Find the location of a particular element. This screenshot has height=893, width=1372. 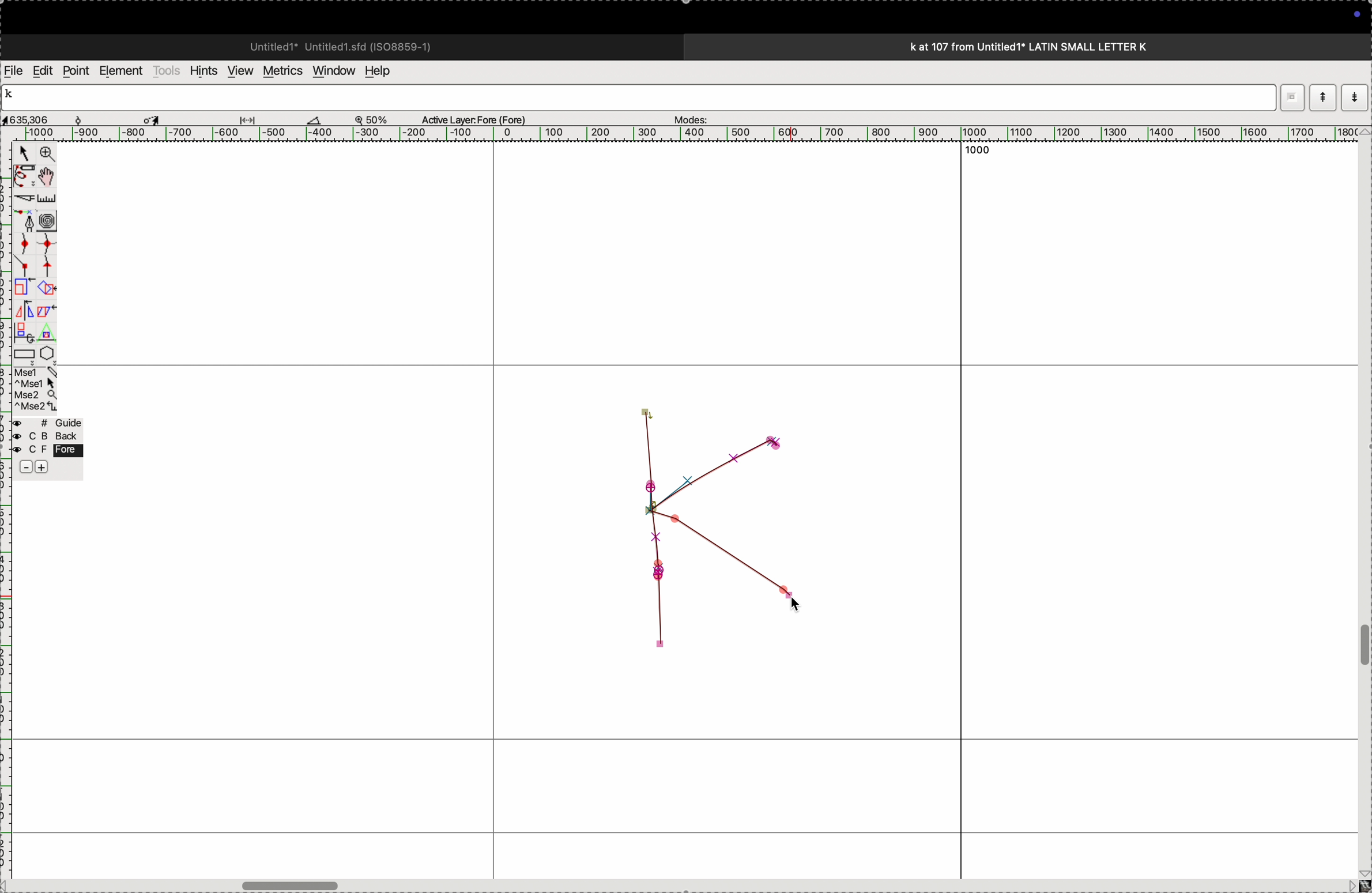

toggle is located at coordinates (50, 176).